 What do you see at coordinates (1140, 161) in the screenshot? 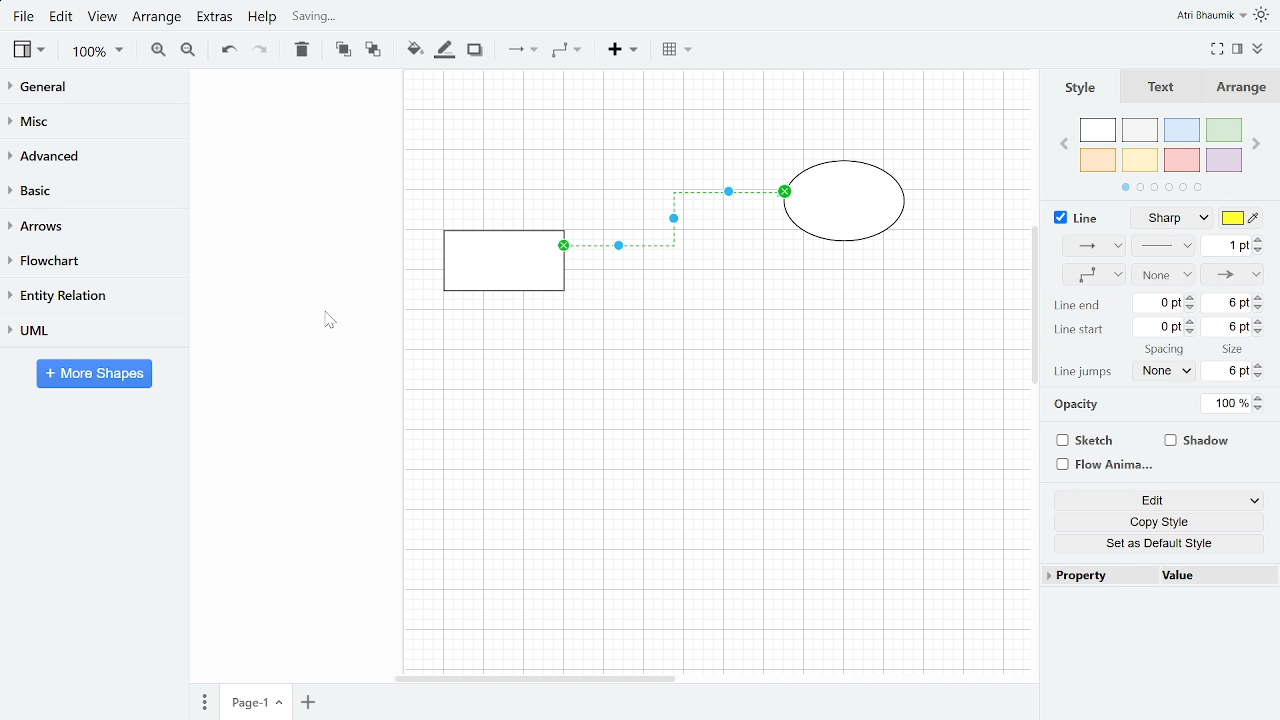
I see `yellow` at bounding box center [1140, 161].